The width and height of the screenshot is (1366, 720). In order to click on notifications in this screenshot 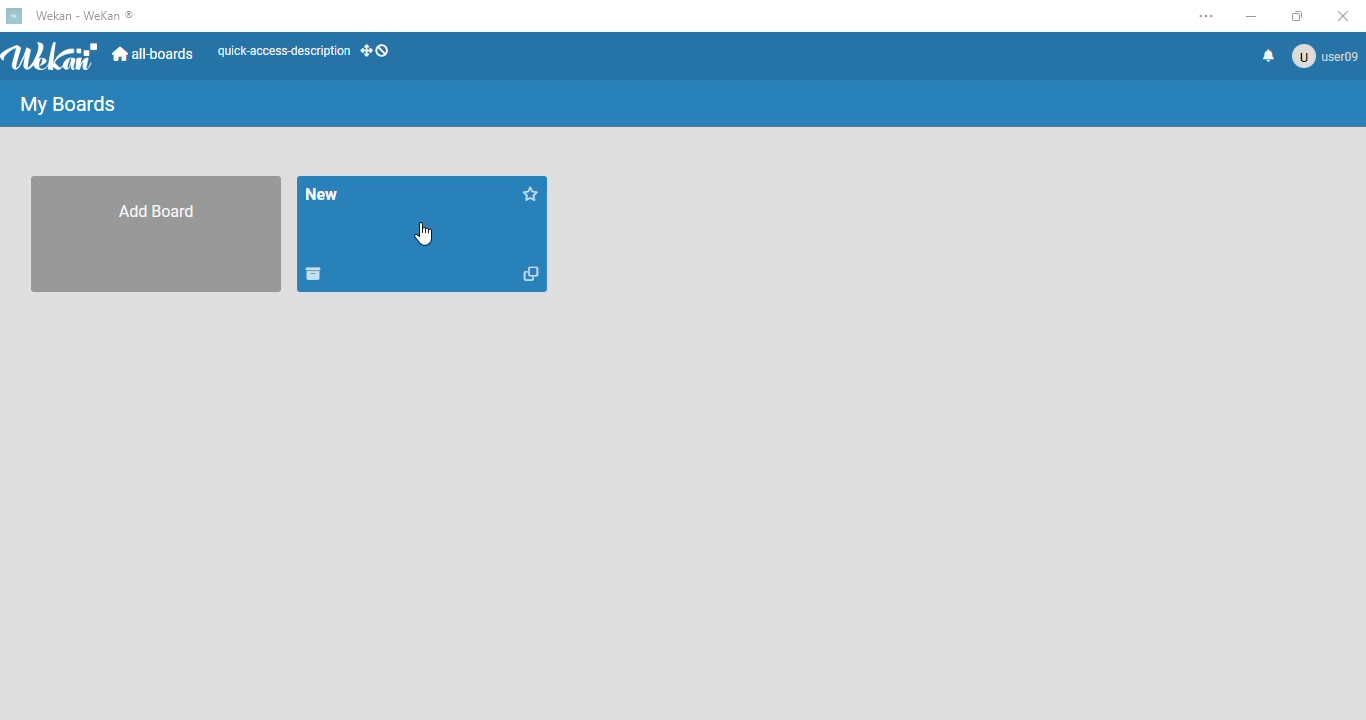, I will do `click(1269, 56)`.